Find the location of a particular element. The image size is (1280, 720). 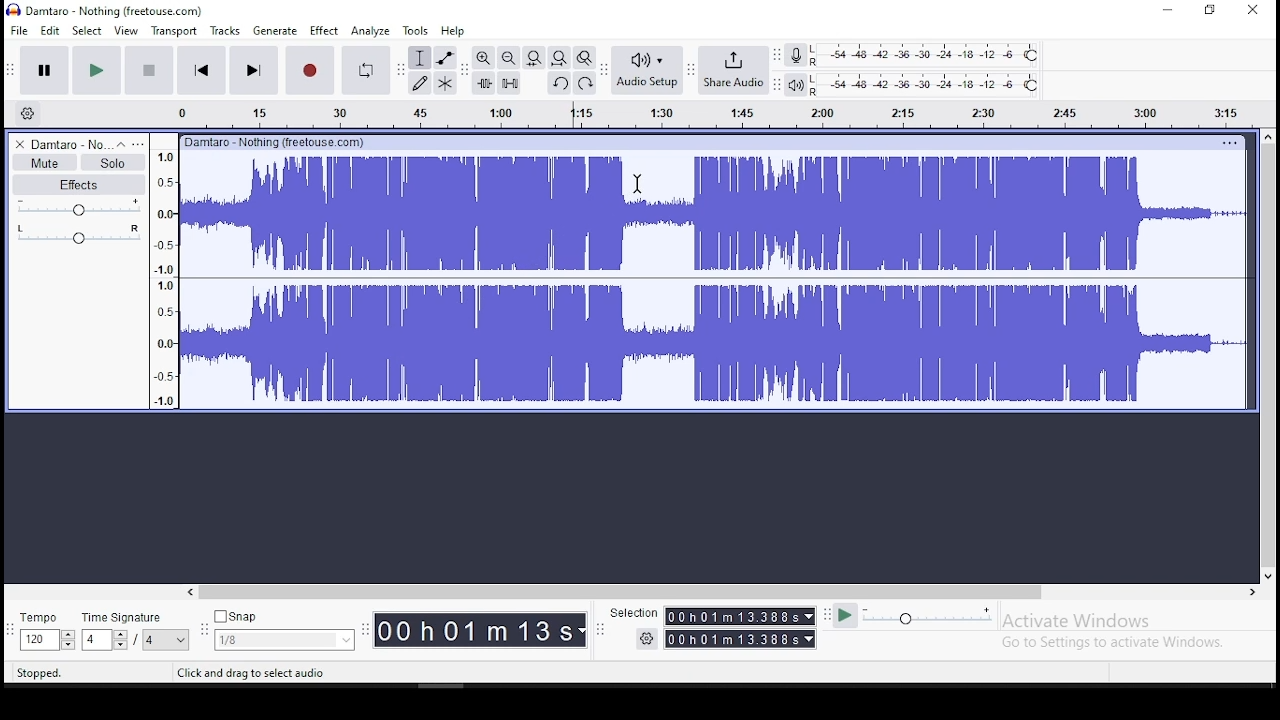

audio track is located at coordinates (714, 281).